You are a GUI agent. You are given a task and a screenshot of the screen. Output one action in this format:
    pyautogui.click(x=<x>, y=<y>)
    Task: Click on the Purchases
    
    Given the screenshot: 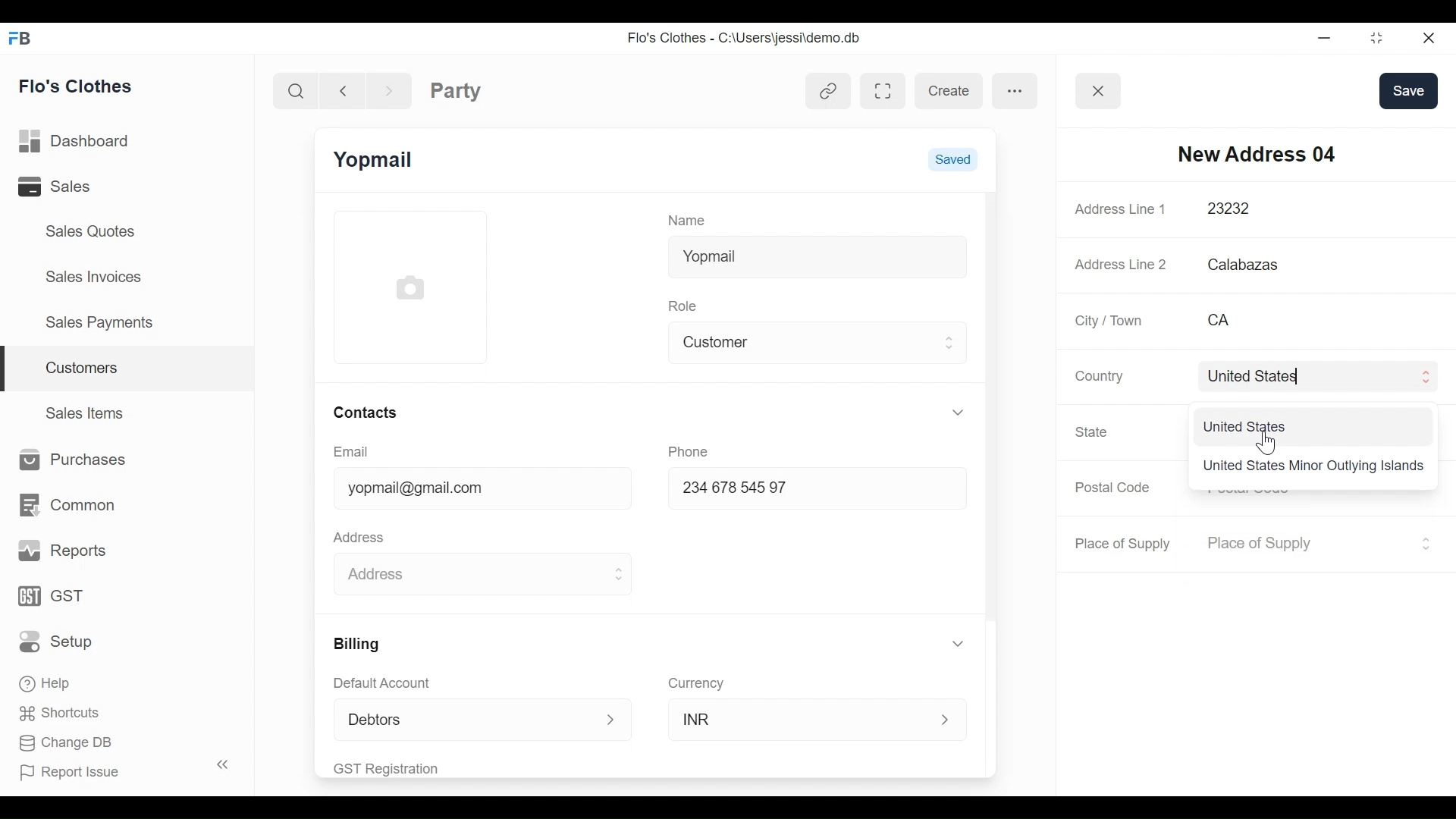 What is the action you would take?
    pyautogui.click(x=68, y=460)
    